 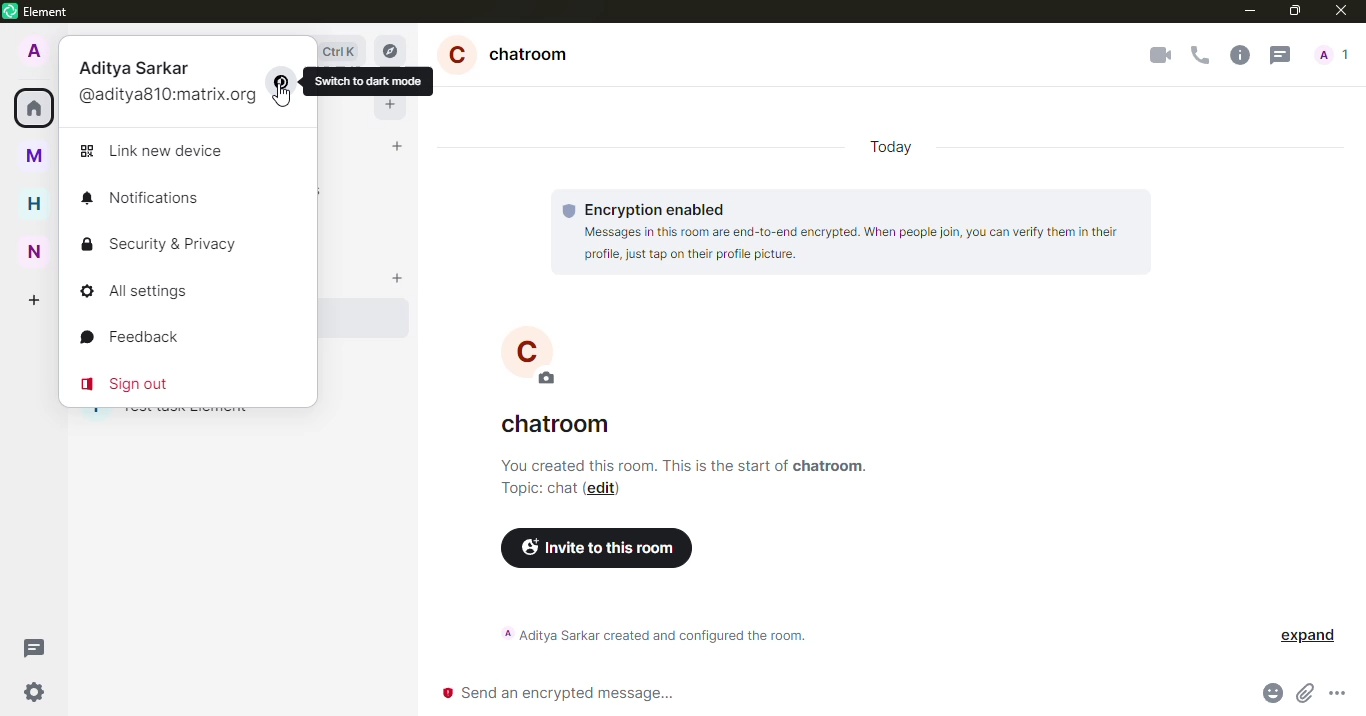 What do you see at coordinates (134, 336) in the screenshot?
I see `feedback` at bounding box center [134, 336].